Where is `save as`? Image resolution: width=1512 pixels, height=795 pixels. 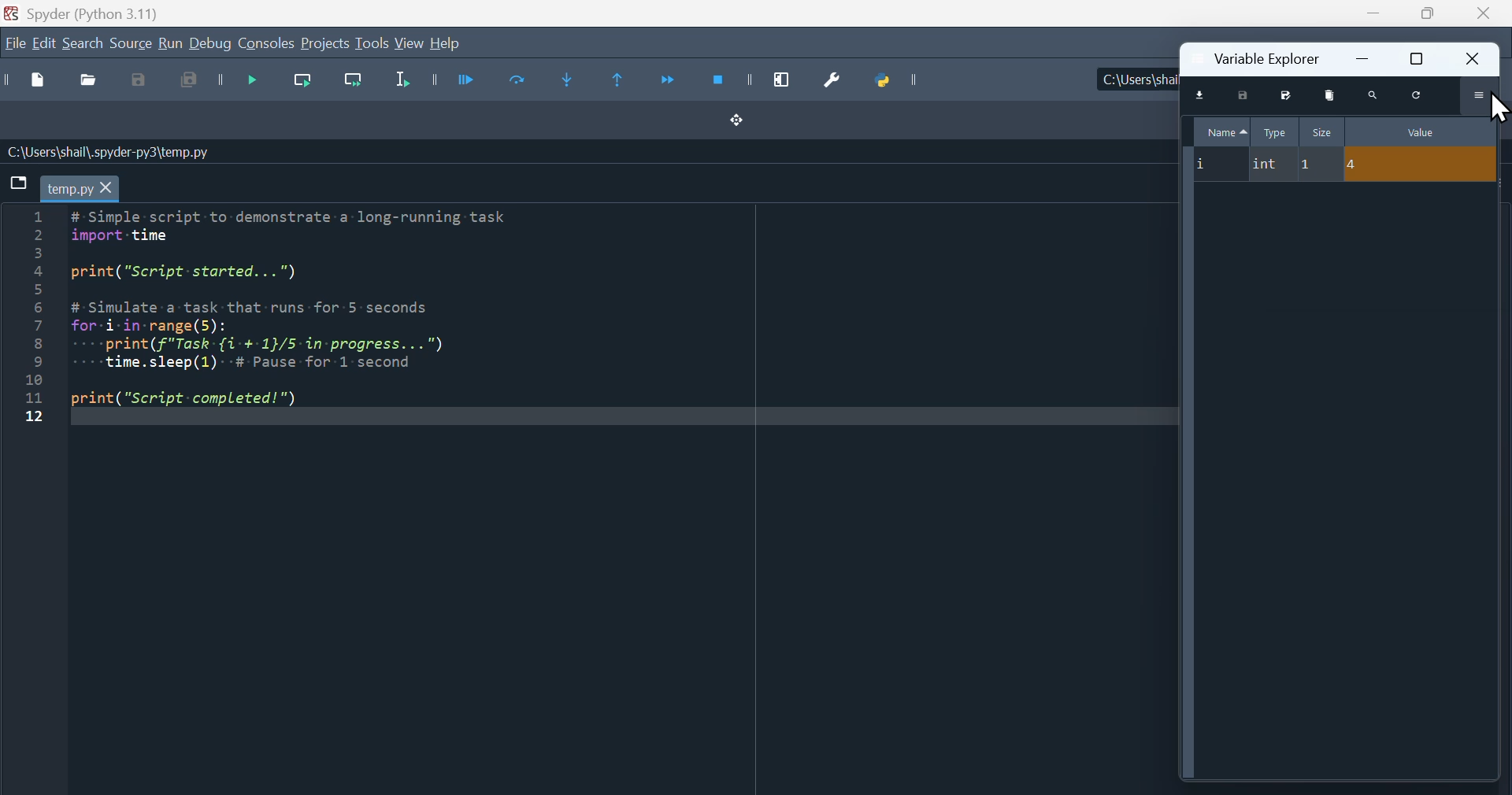 save as is located at coordinates (143, 81).